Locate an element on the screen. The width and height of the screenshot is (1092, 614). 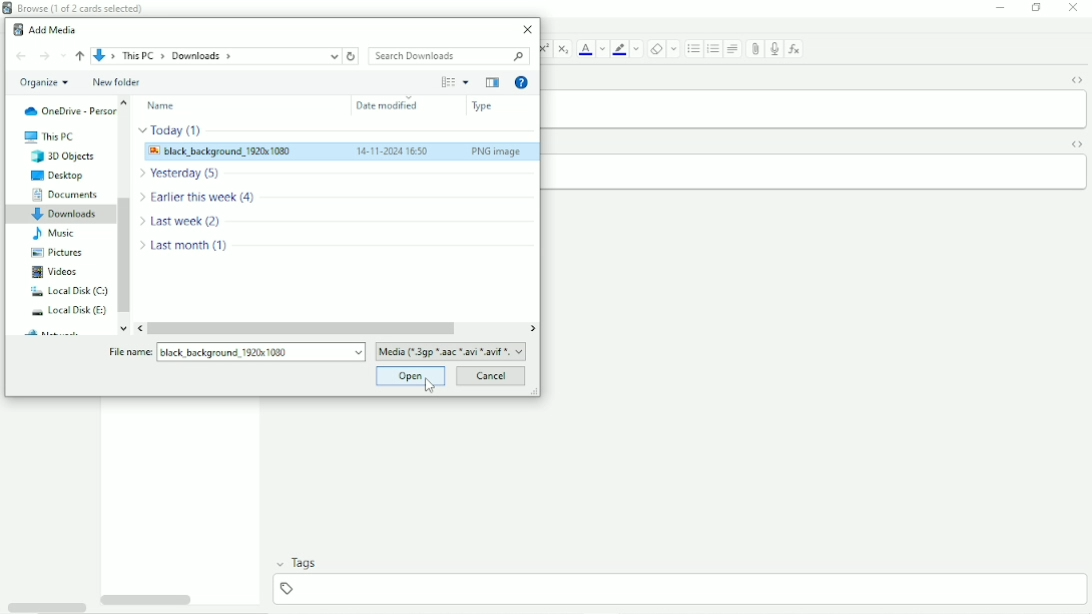
Get Help is located at coordinates (523, 82).